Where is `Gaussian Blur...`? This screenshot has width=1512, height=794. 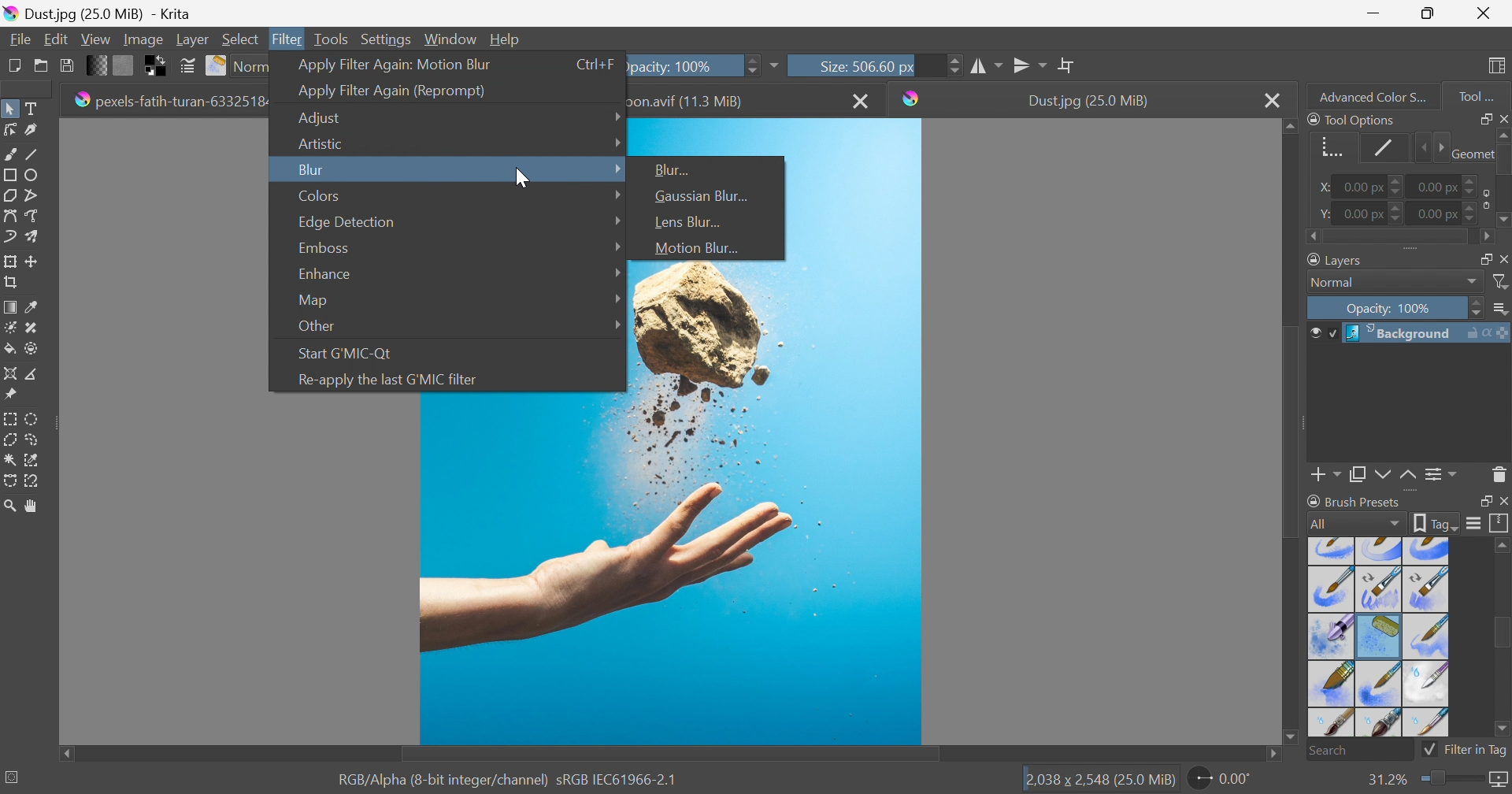 Gaussian Blur... is located at coordinates (703, 196).